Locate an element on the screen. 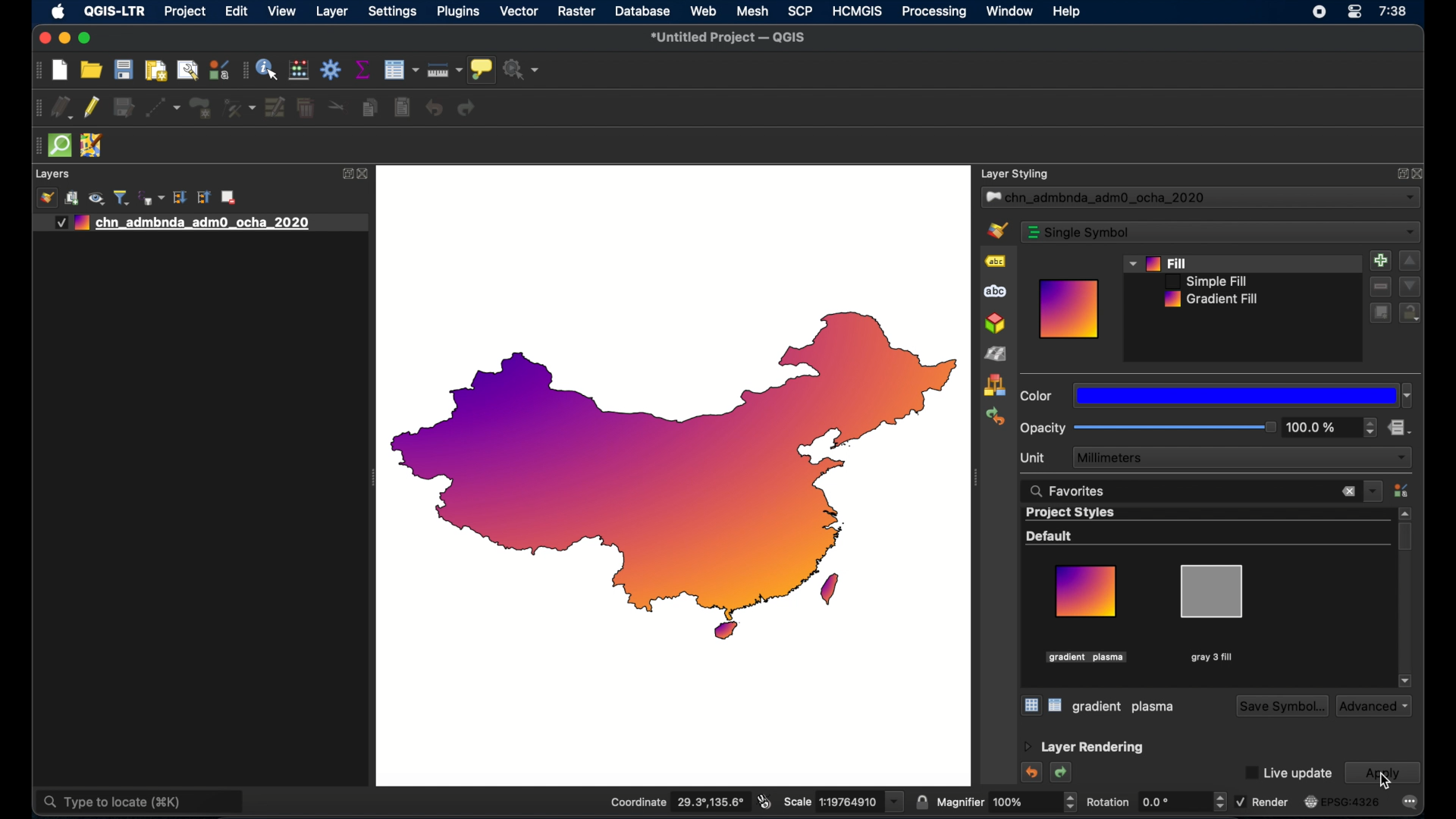  history is located at coordinates (995, 417).